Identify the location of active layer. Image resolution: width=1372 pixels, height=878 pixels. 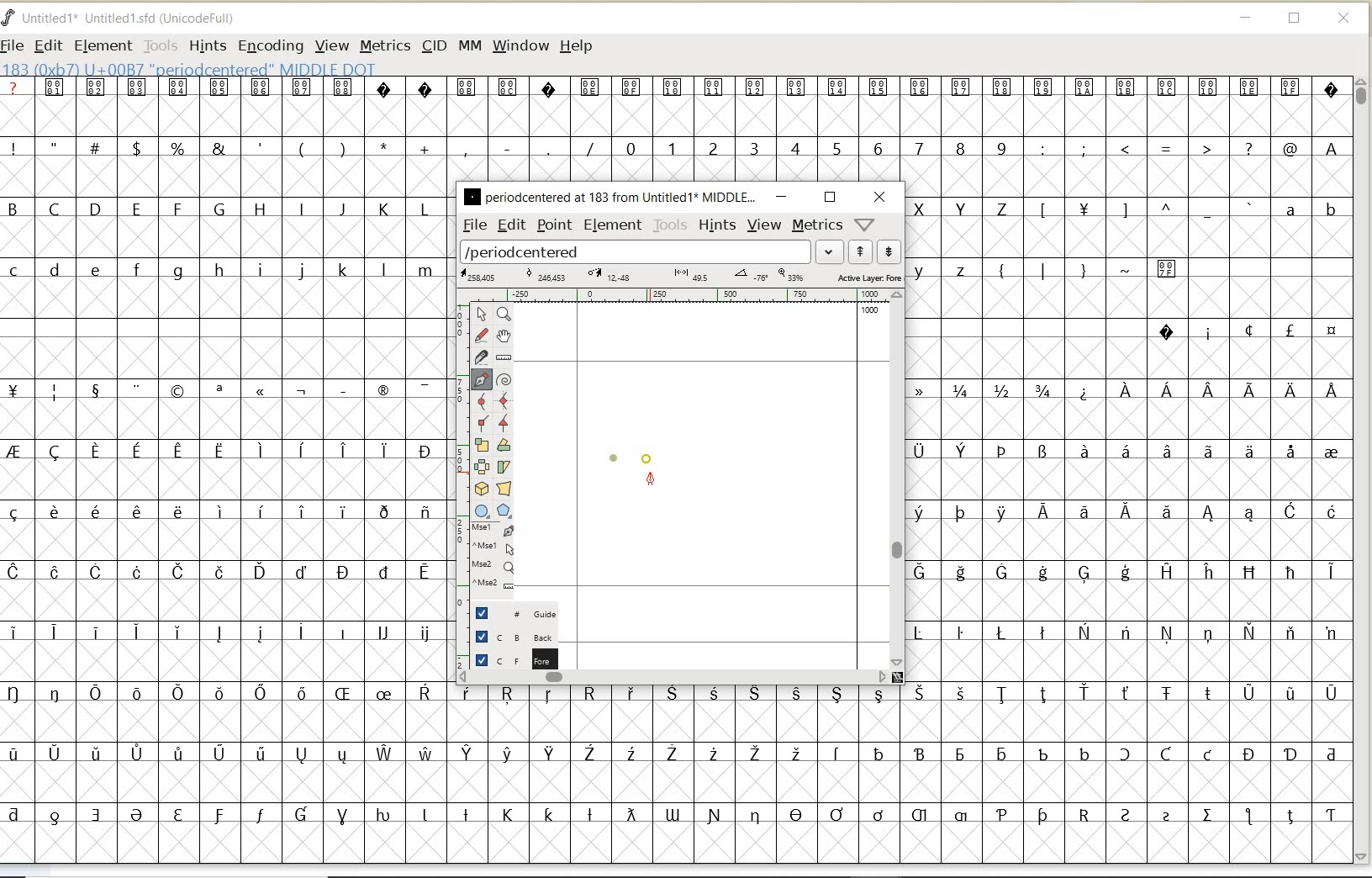
(679, 277).